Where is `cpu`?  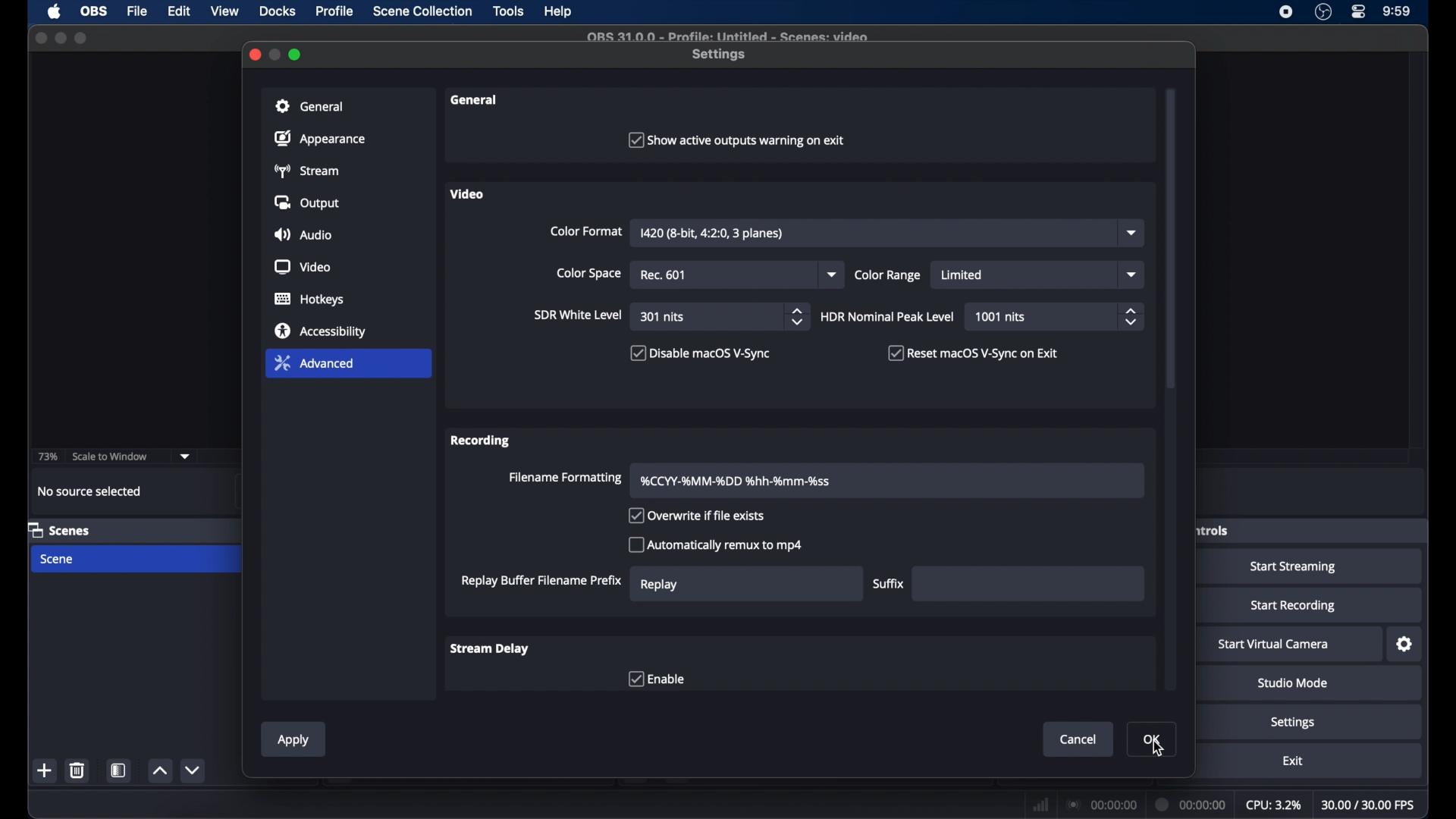 cpu is located at coordinates (1274, 805).